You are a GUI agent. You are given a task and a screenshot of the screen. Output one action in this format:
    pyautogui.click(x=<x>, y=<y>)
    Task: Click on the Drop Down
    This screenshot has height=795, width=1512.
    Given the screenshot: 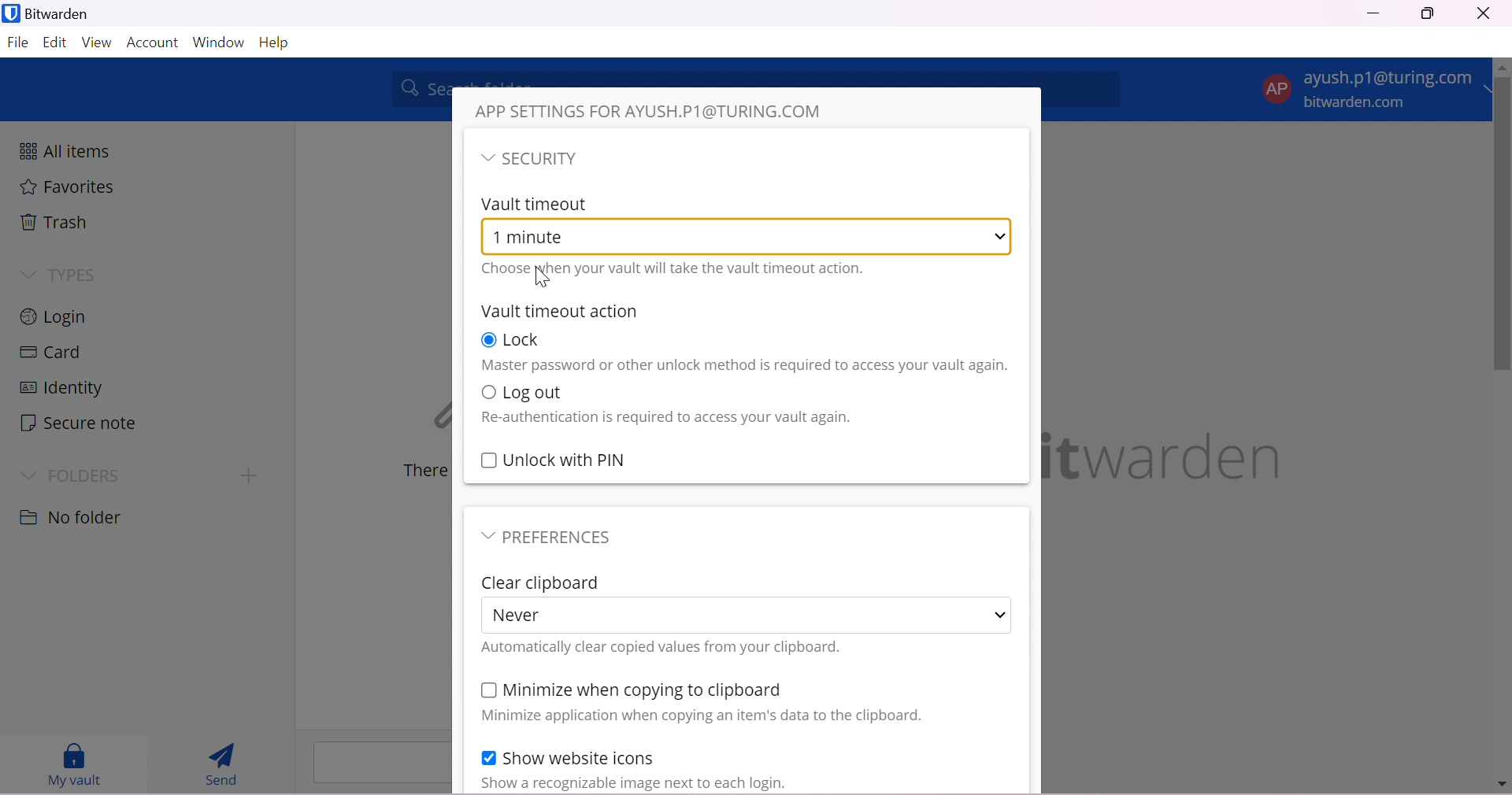 What is the action you would take?
    pyautogui.click(x=484, y=536)
    